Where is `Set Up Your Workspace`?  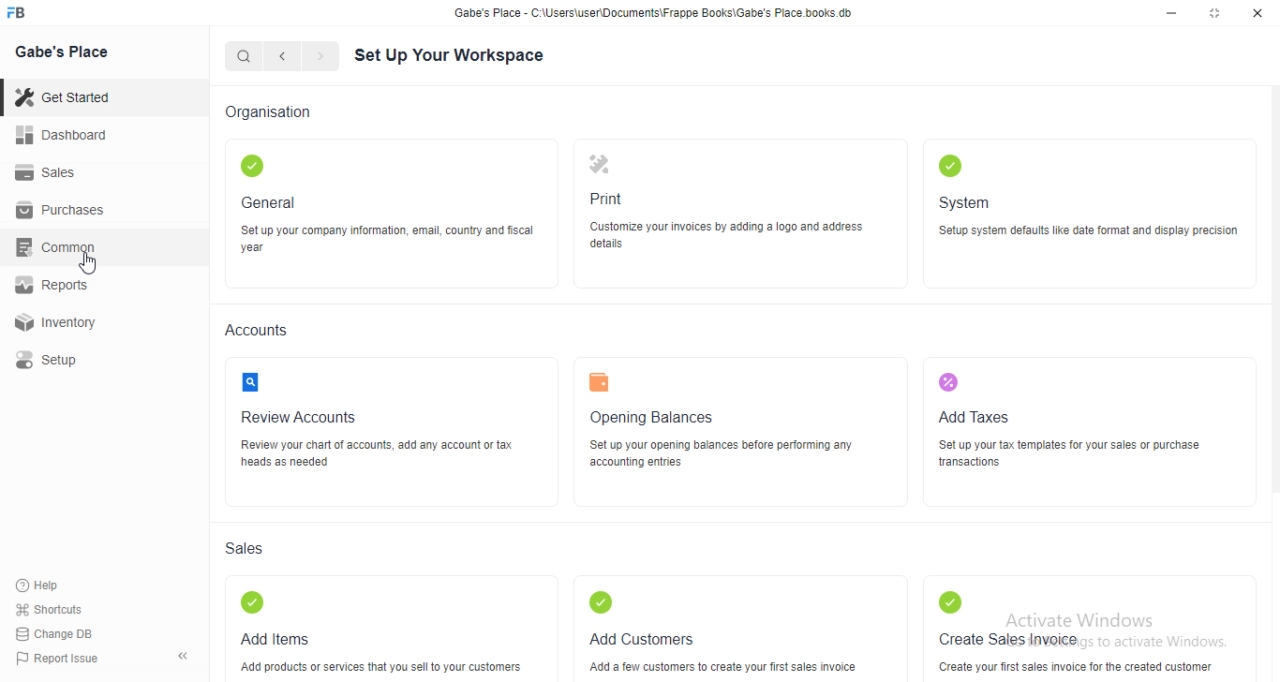 Set Up Your Workspace is located at coordinates (448, 57).